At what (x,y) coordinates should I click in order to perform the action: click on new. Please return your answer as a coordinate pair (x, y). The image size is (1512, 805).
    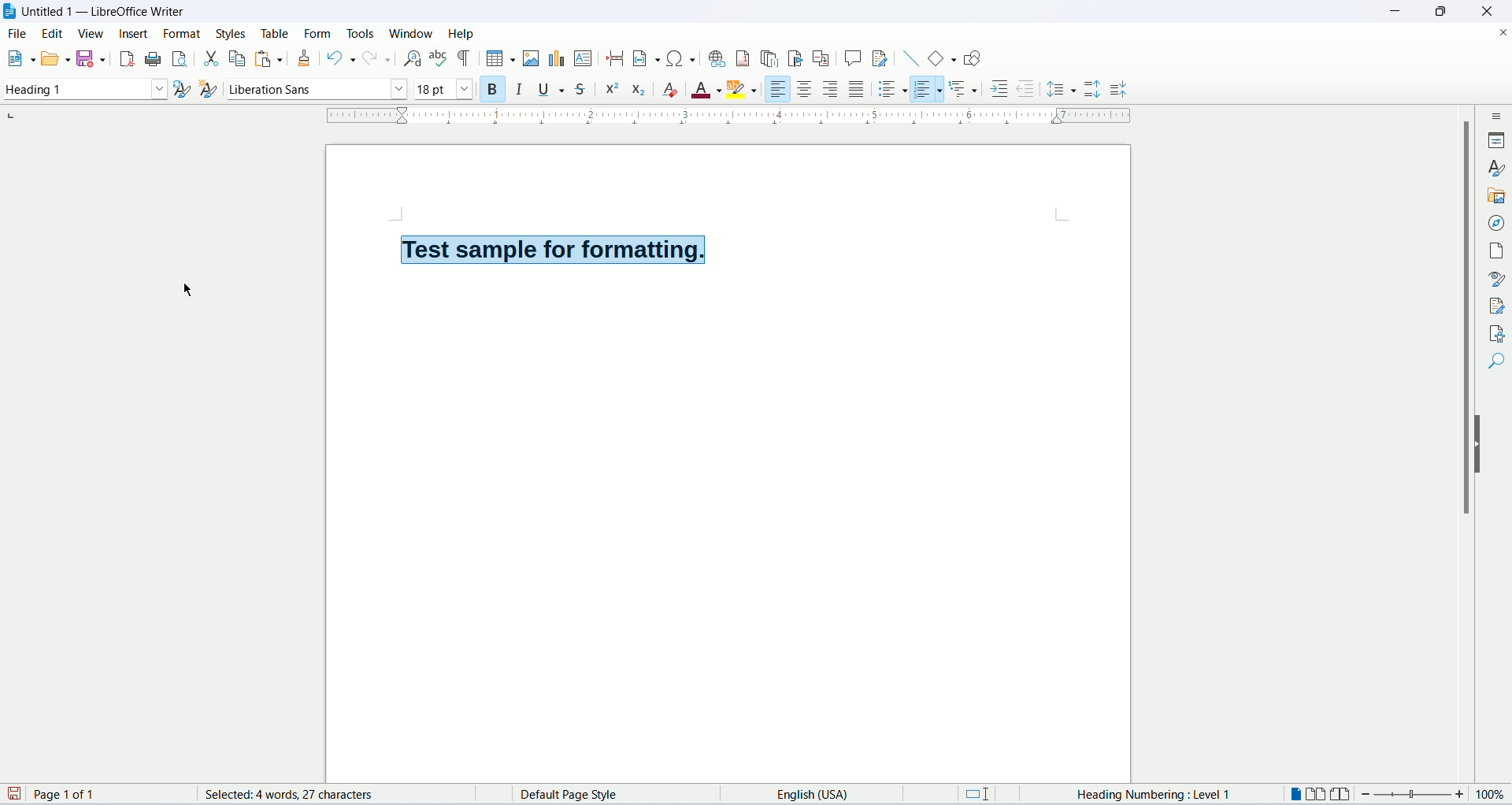
    Looking at the image, I should click on (20, 61).